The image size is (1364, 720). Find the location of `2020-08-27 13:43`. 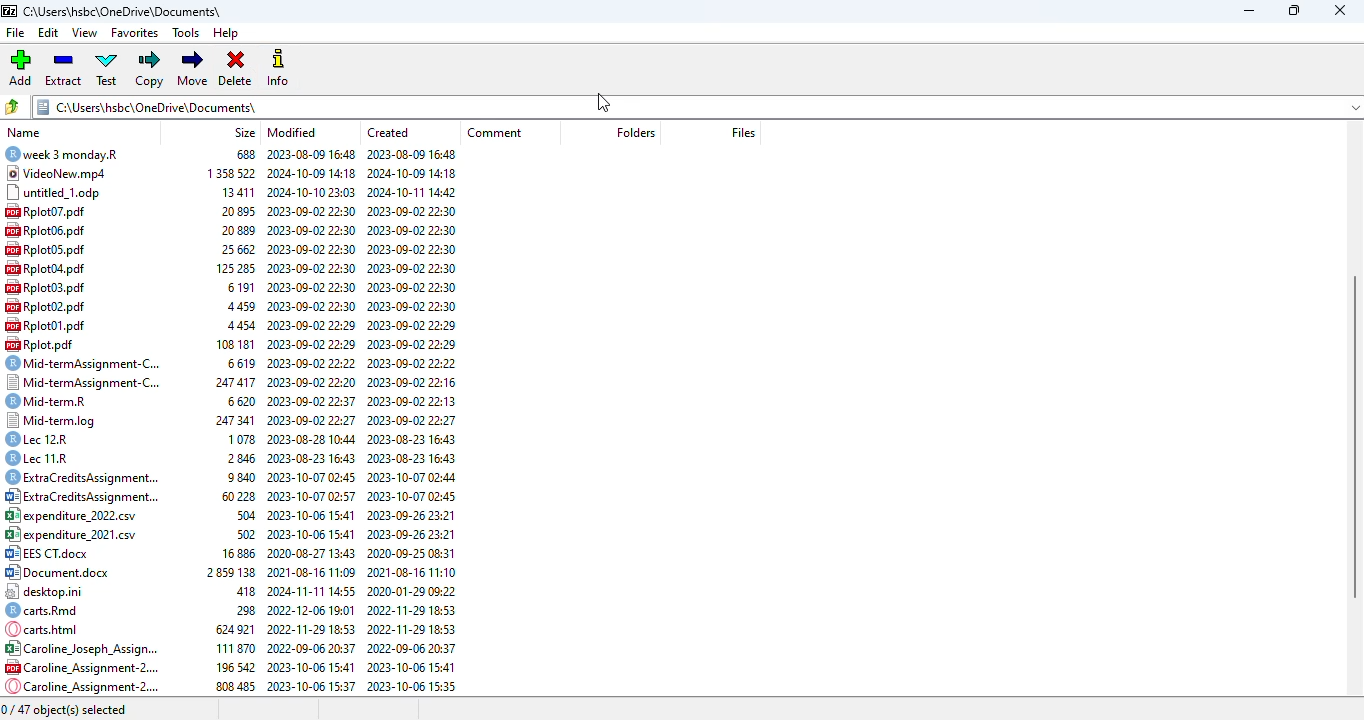

2020-08-27 13:43 is located at coordinates (310, 554).